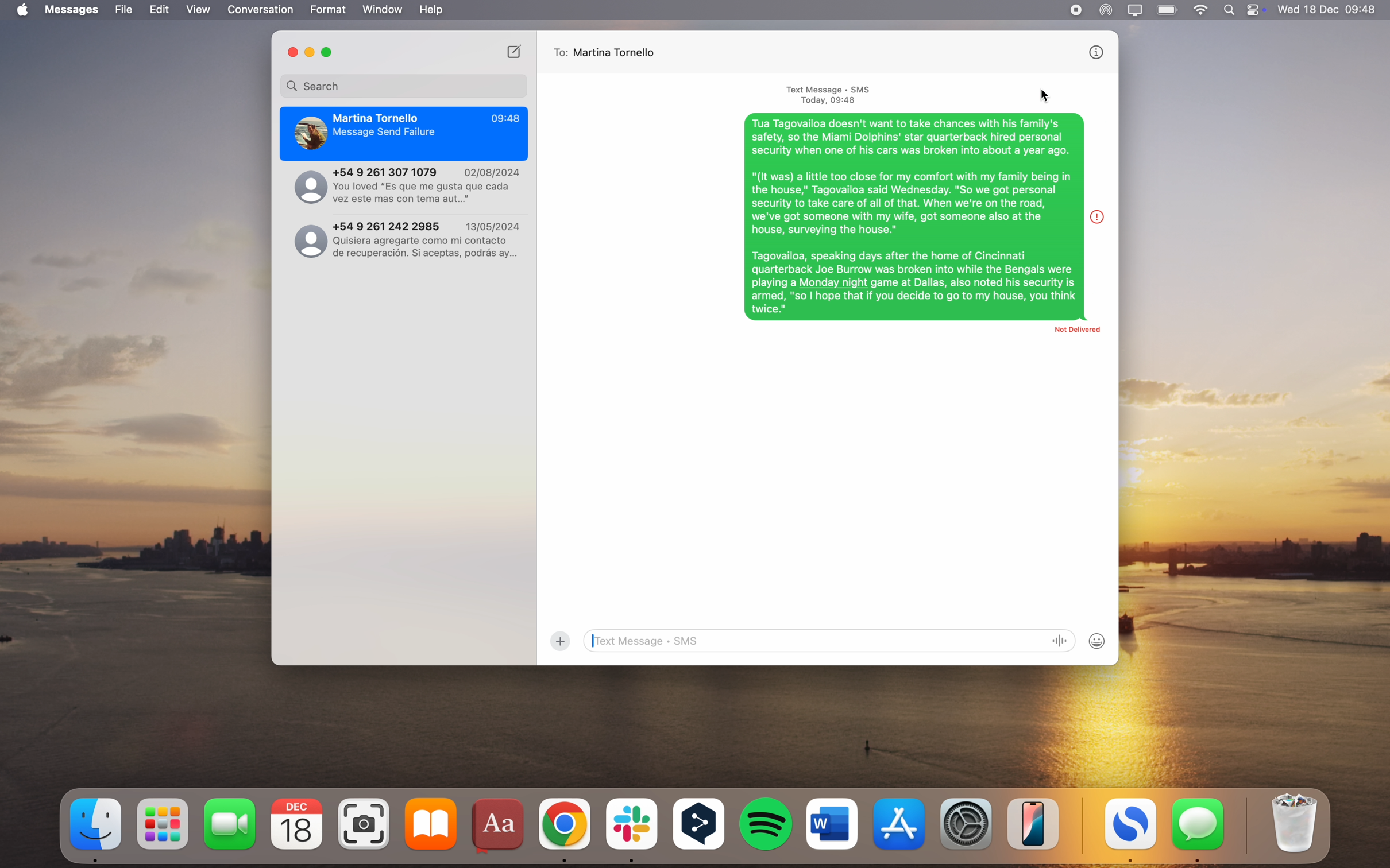 The image size is (1390, 868). I want to click on calendar, so click(297, 824).